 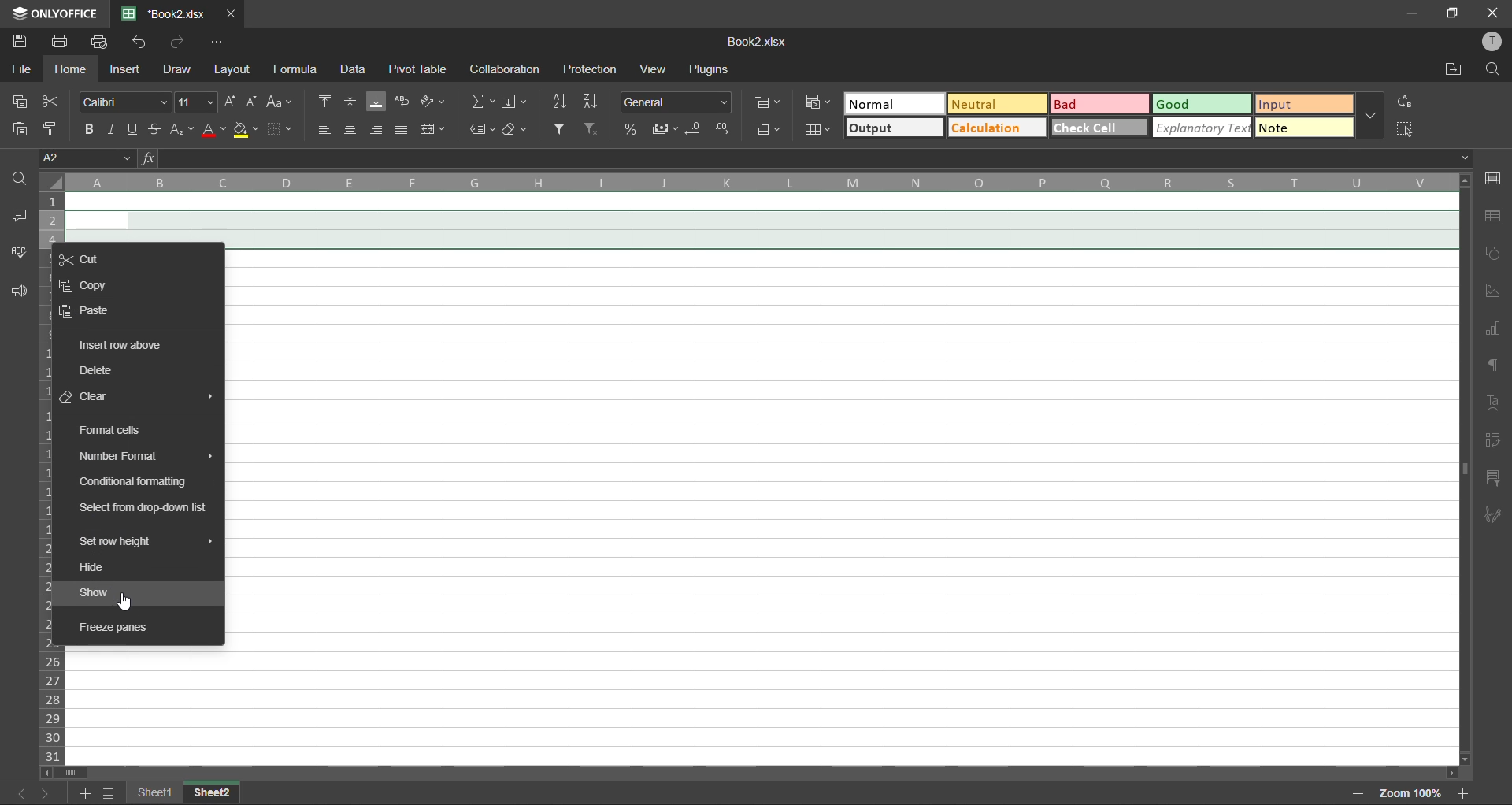 I want to click on zoom out, so click(x=1354, y=795).